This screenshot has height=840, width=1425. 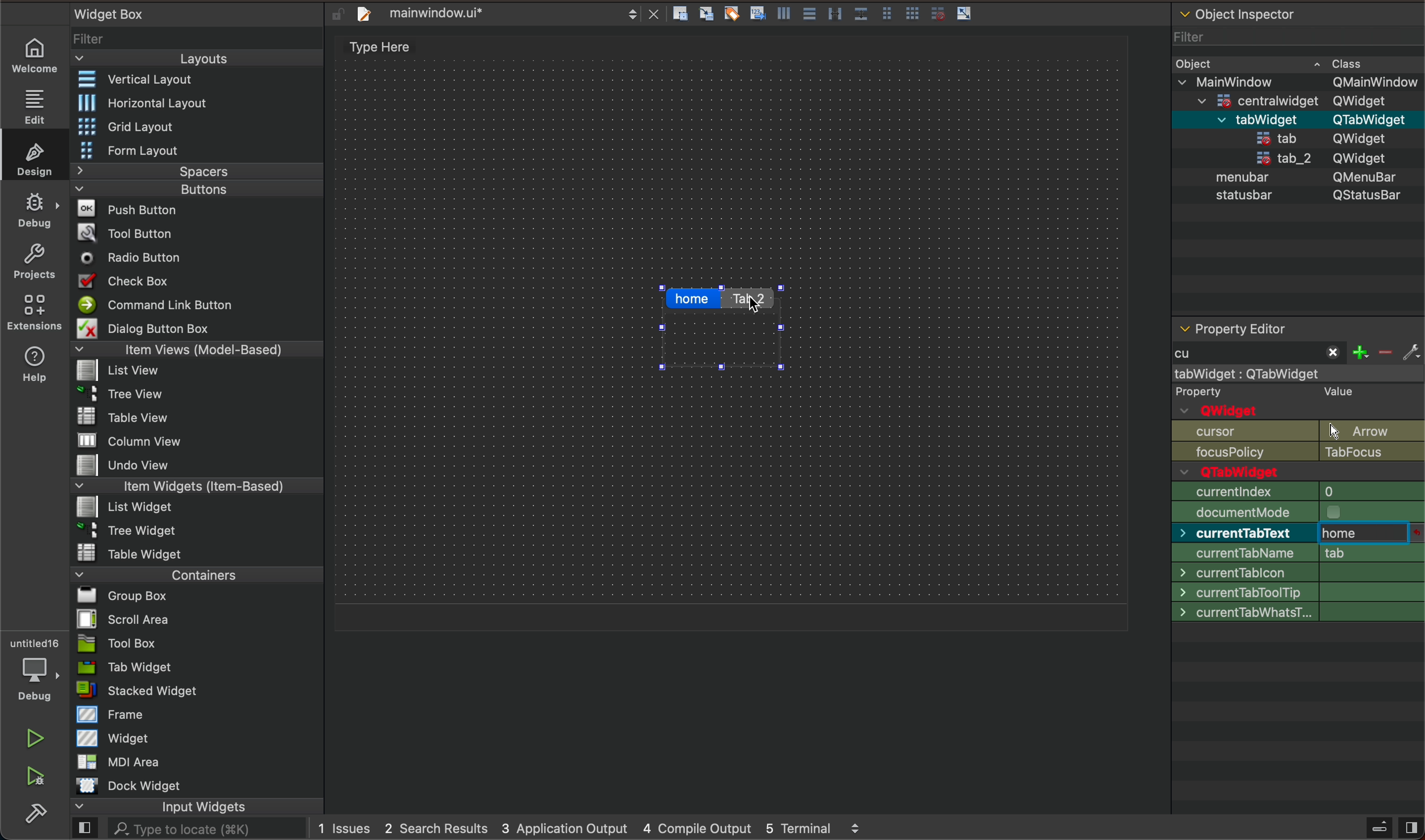 I want to click on Layouts, so click(x=198, y=58).